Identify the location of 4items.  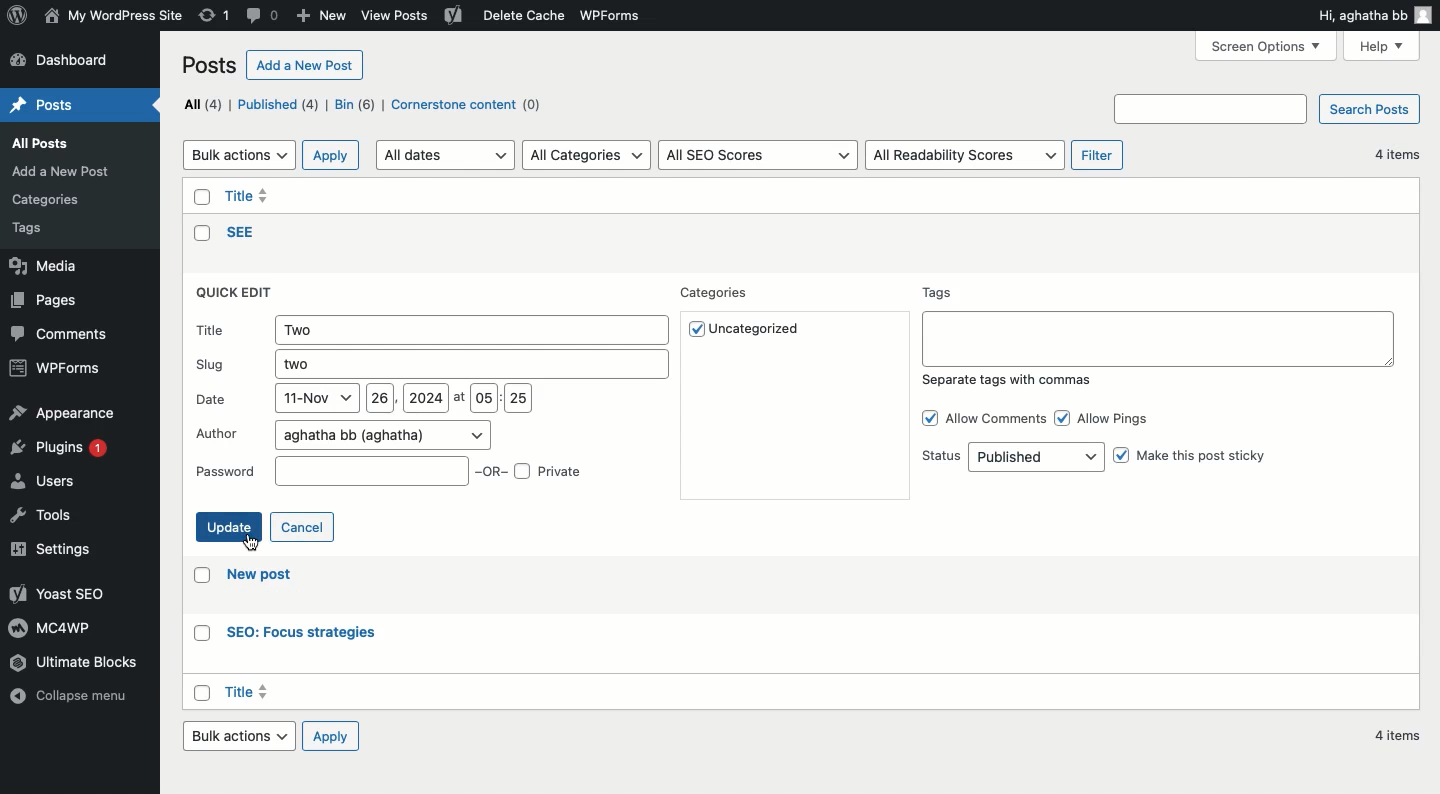
(1398, 739).